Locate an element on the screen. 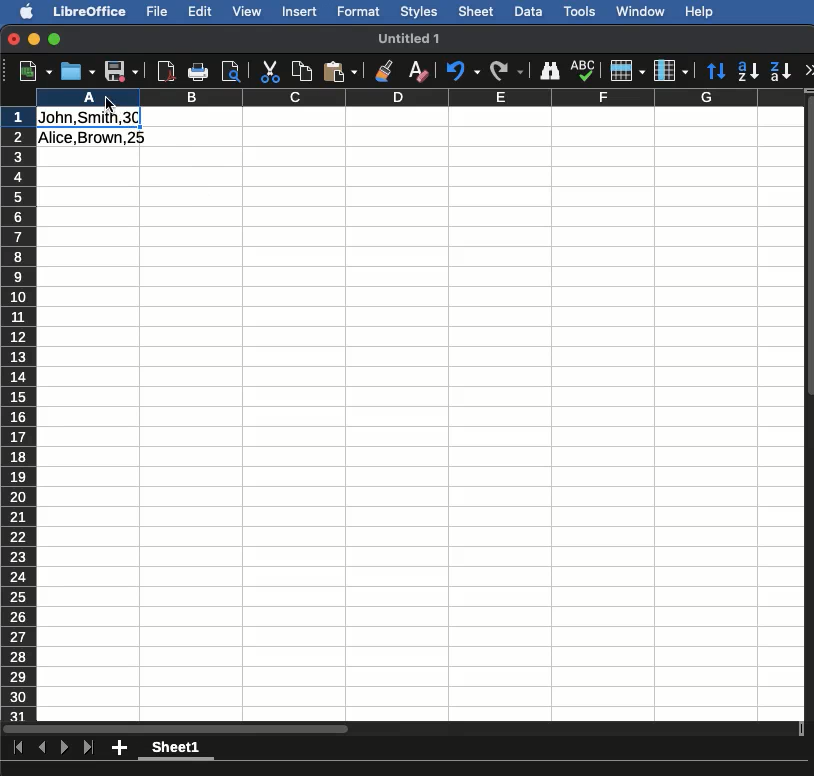 This screenshot has width=814, height=776. Columns is located at coordinates (419, 97).